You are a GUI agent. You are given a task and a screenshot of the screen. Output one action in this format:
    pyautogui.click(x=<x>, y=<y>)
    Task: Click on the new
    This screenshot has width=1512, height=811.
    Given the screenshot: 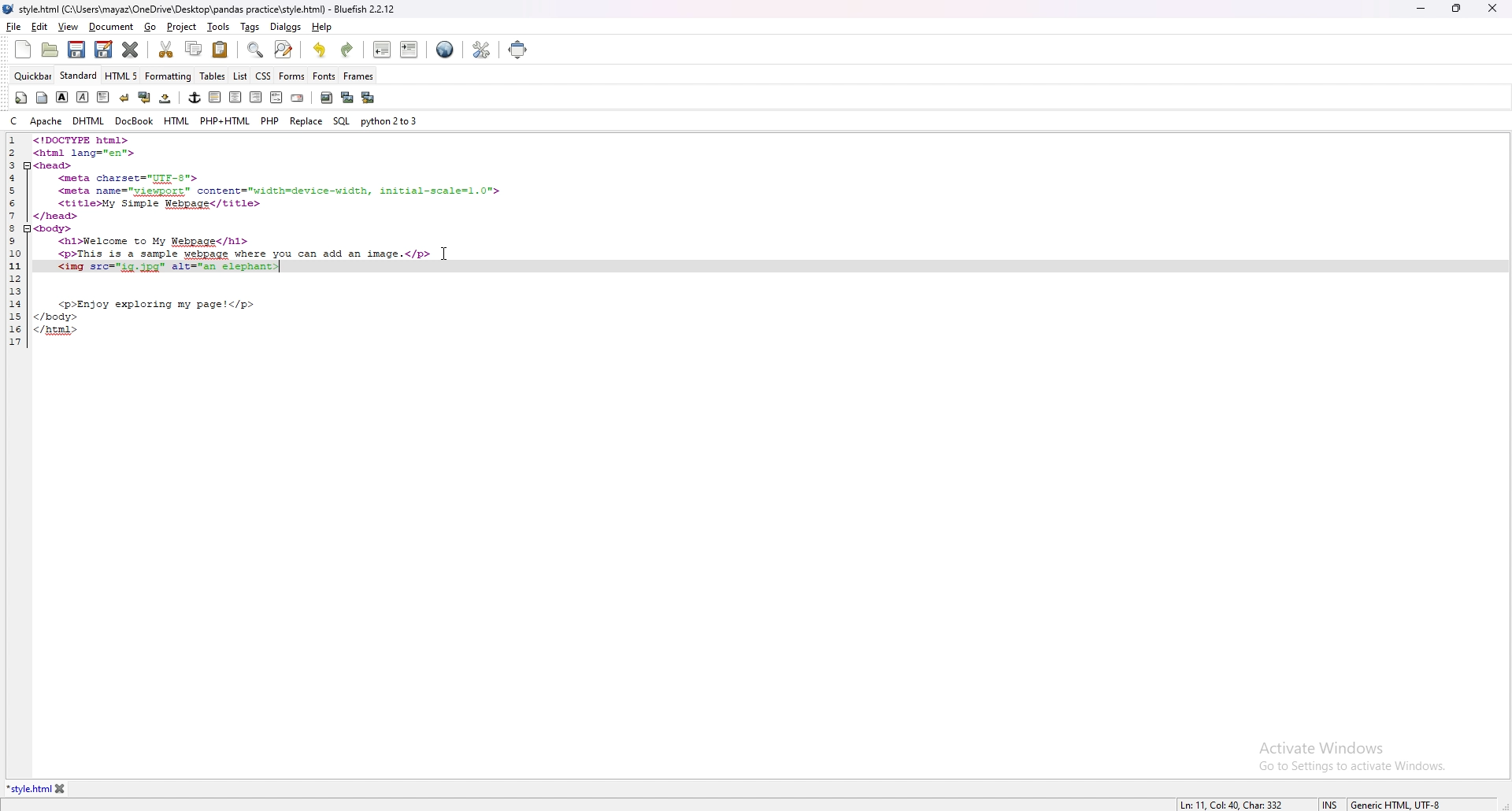 What is the action you would take?
    pyautogui.click(x=24, y=50)
    